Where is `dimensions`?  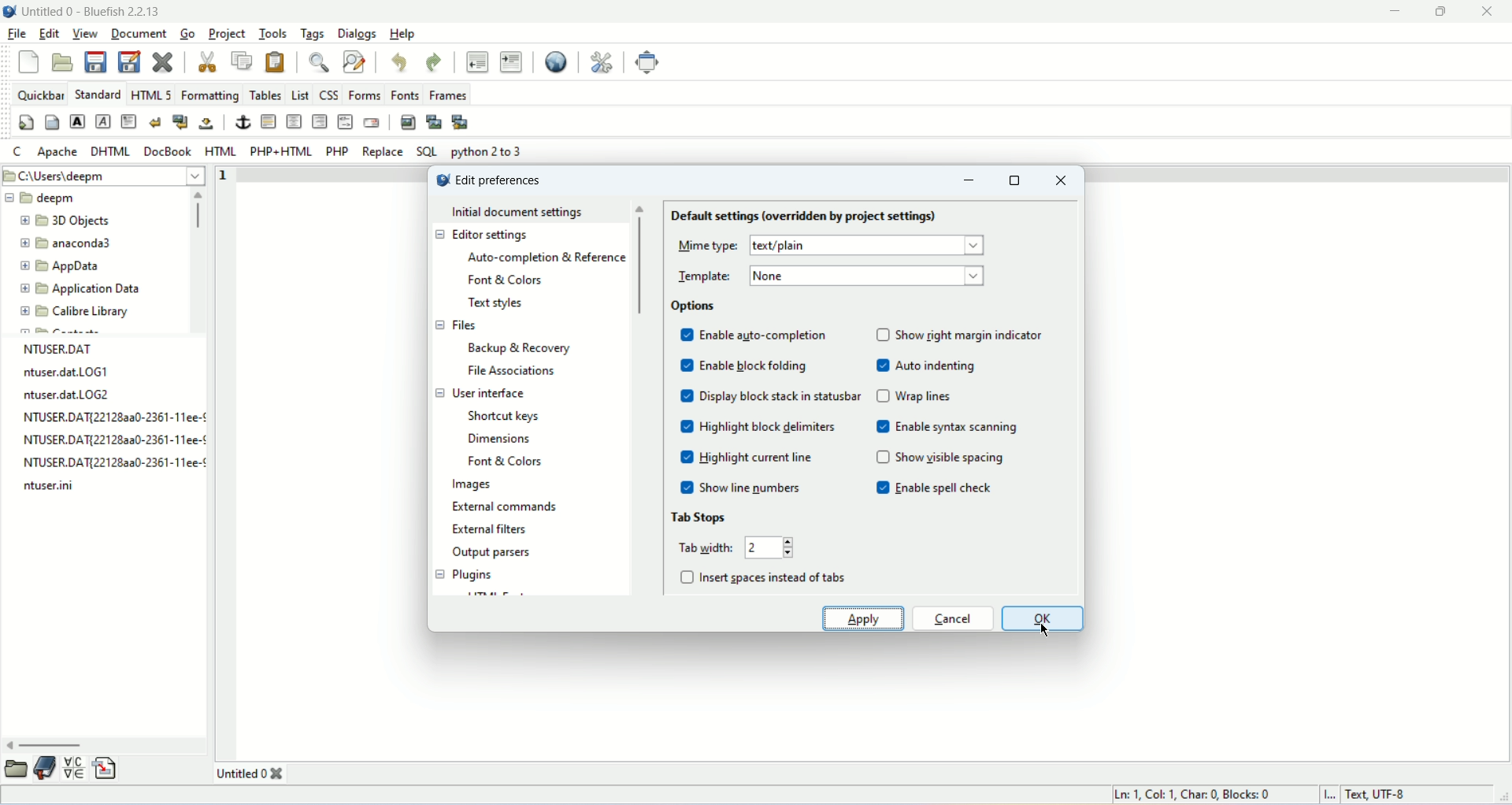
dimensions is located at coordinates (499, 438).